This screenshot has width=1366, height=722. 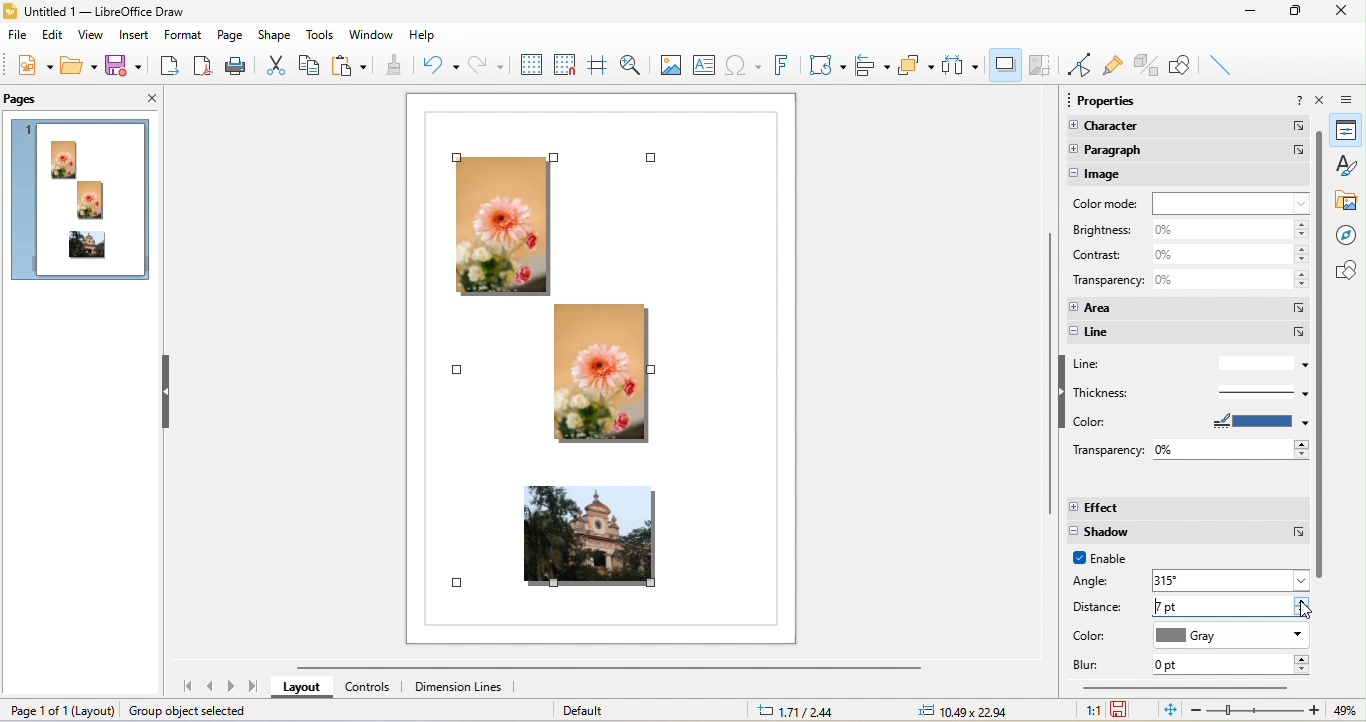 I want to click on next page, so click(x=233, y=687).